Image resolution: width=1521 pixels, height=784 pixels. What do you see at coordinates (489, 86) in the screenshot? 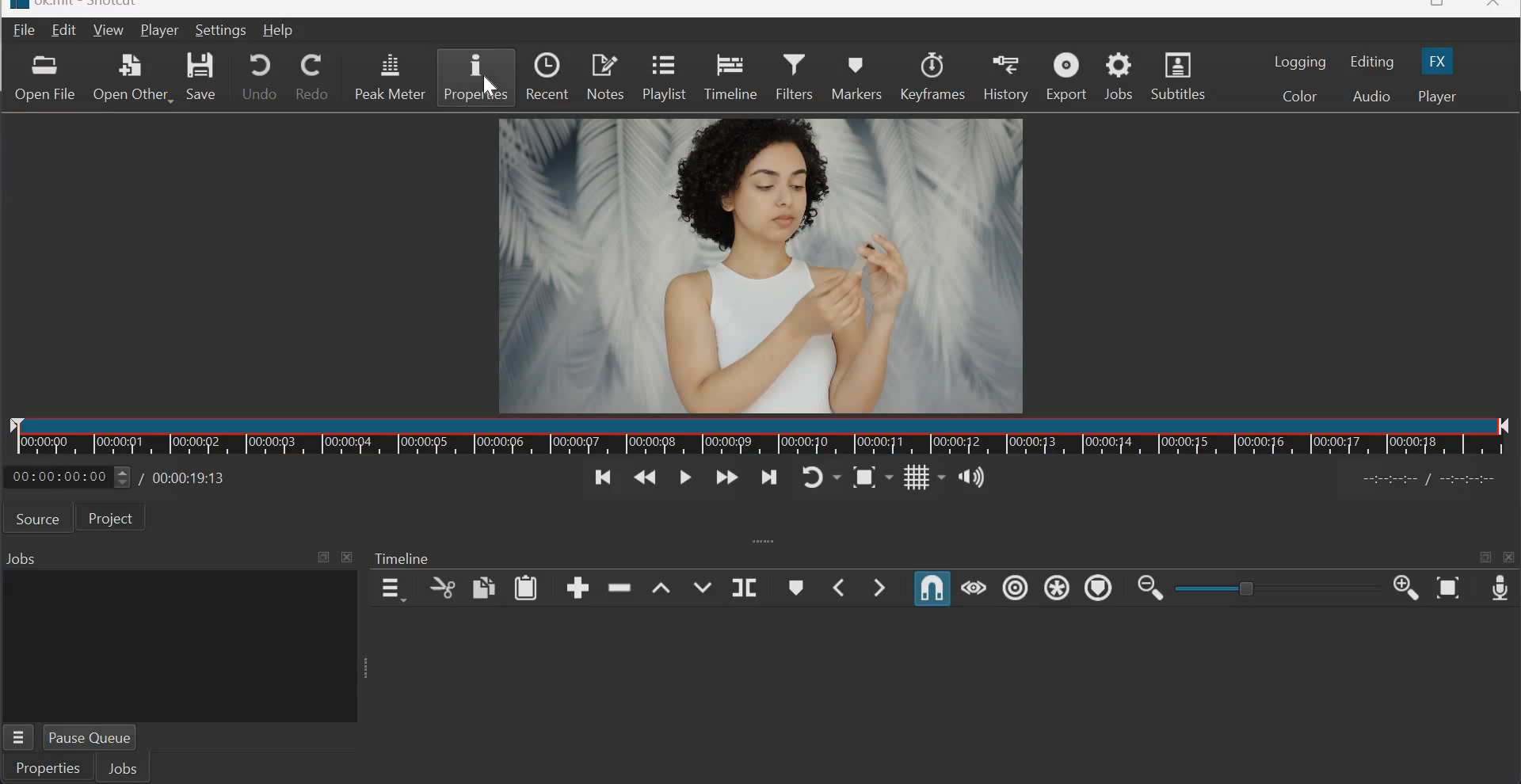
I see `cursor` at bounding box center [489, 86].